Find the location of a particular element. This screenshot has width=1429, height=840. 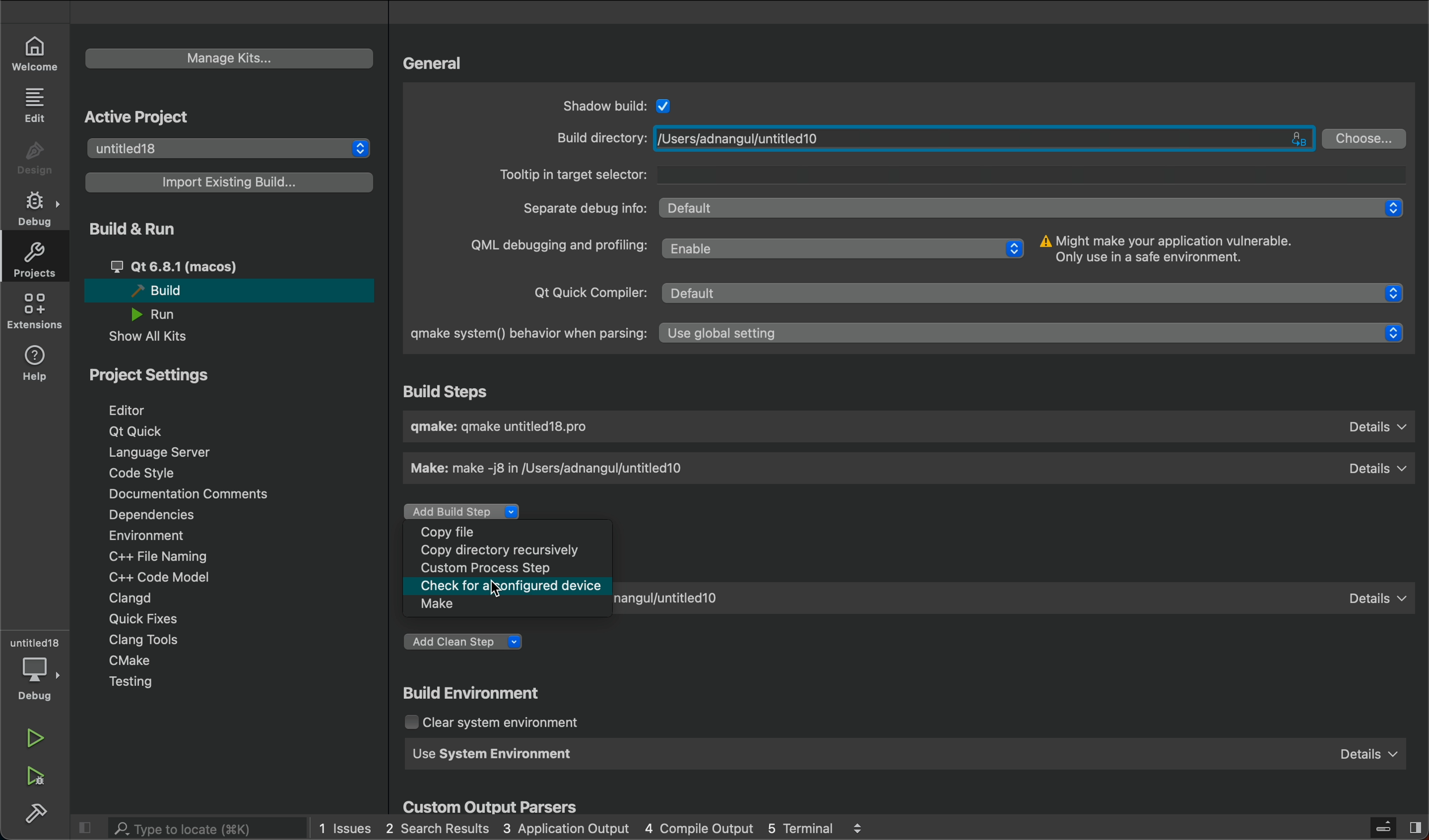

Separate debug info: is located at coordinates (581, 208).